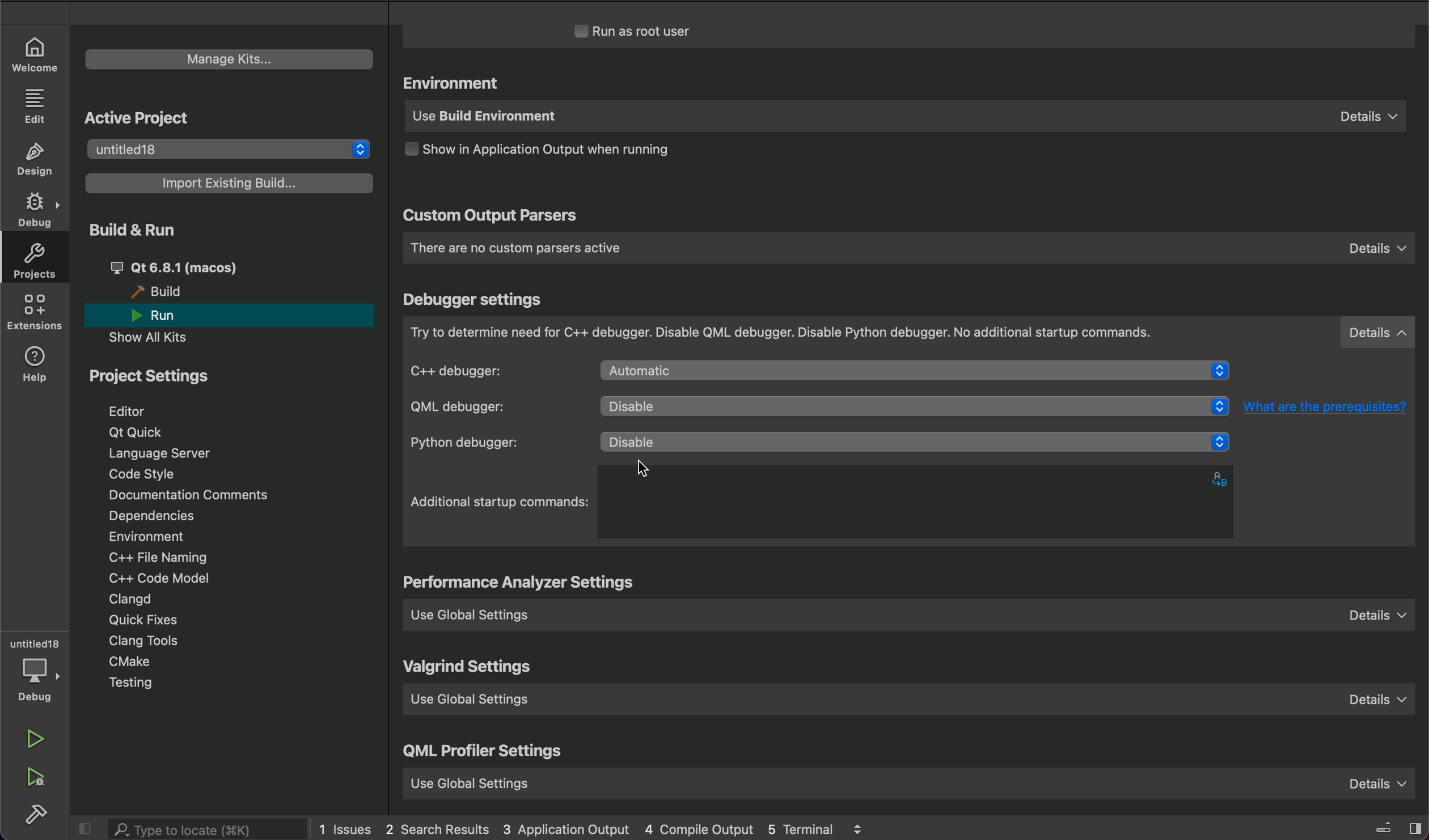 The height and width of the screenshot is (840, 1429). I want to click on file naming, so click(164, 559).